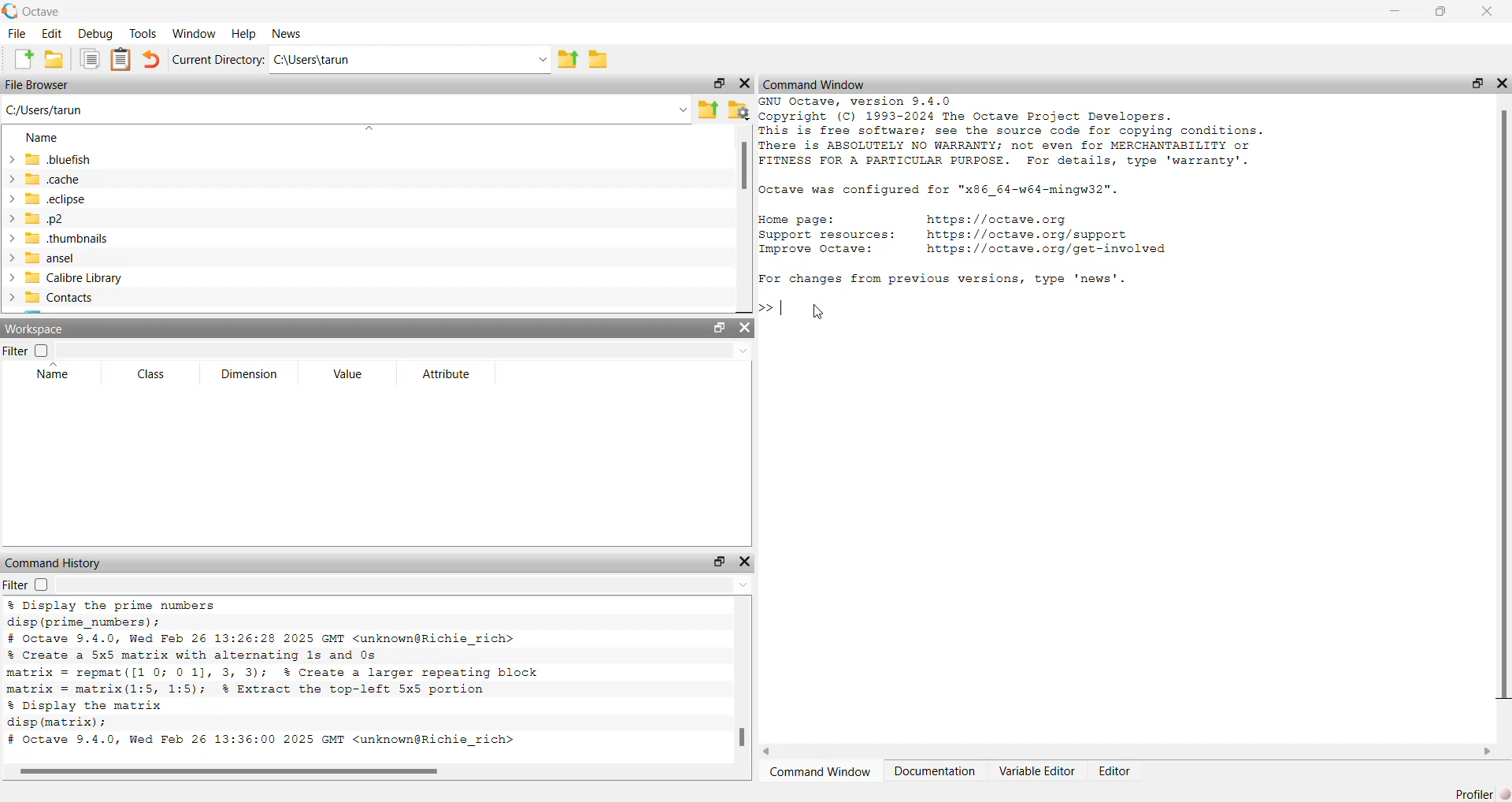 The width and height of the screenshot is (1512, 802). I want to click on current directory, so click(218, 60).